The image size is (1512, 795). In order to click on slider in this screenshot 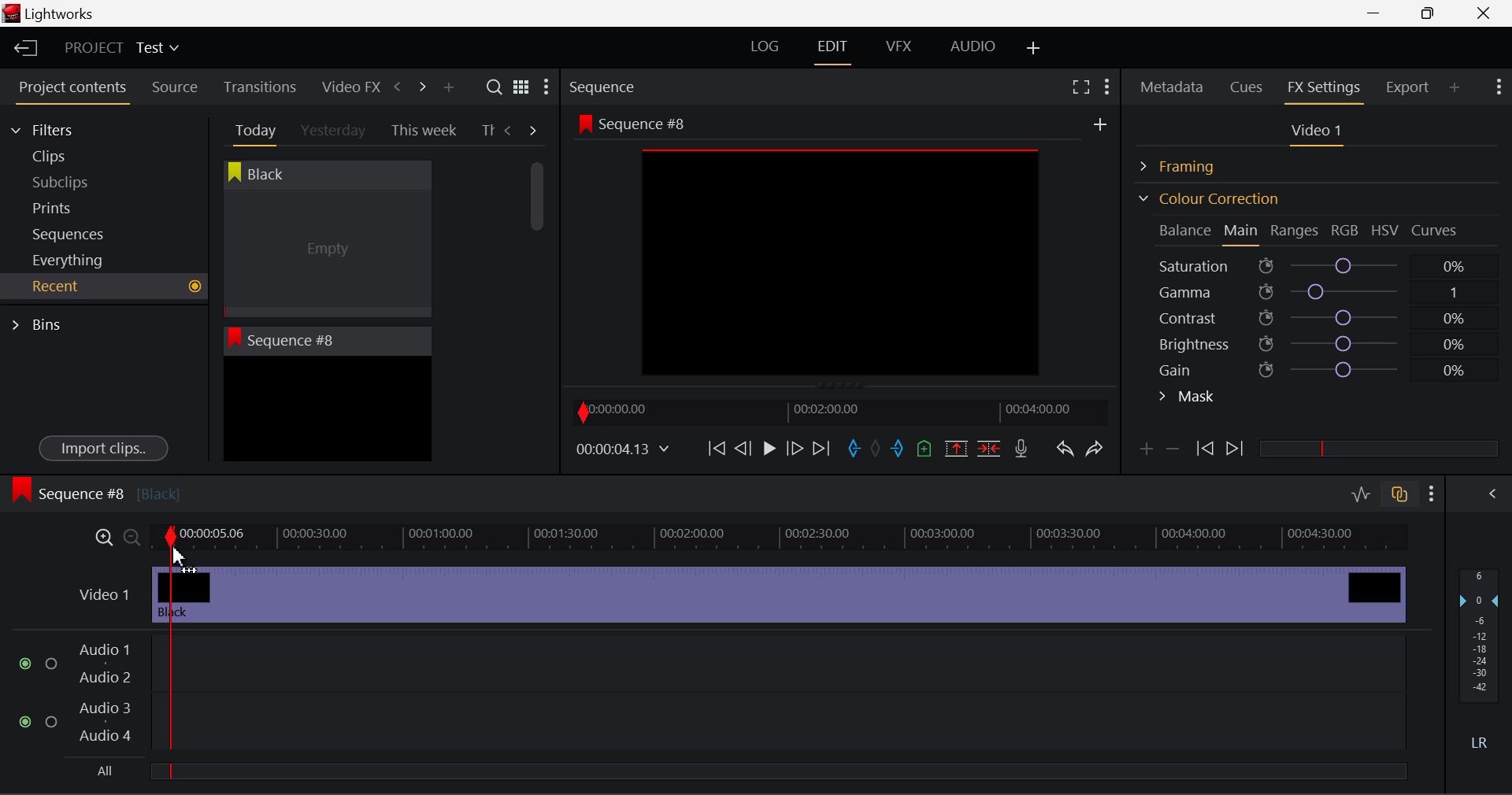, I will do `click(777, 771)`.